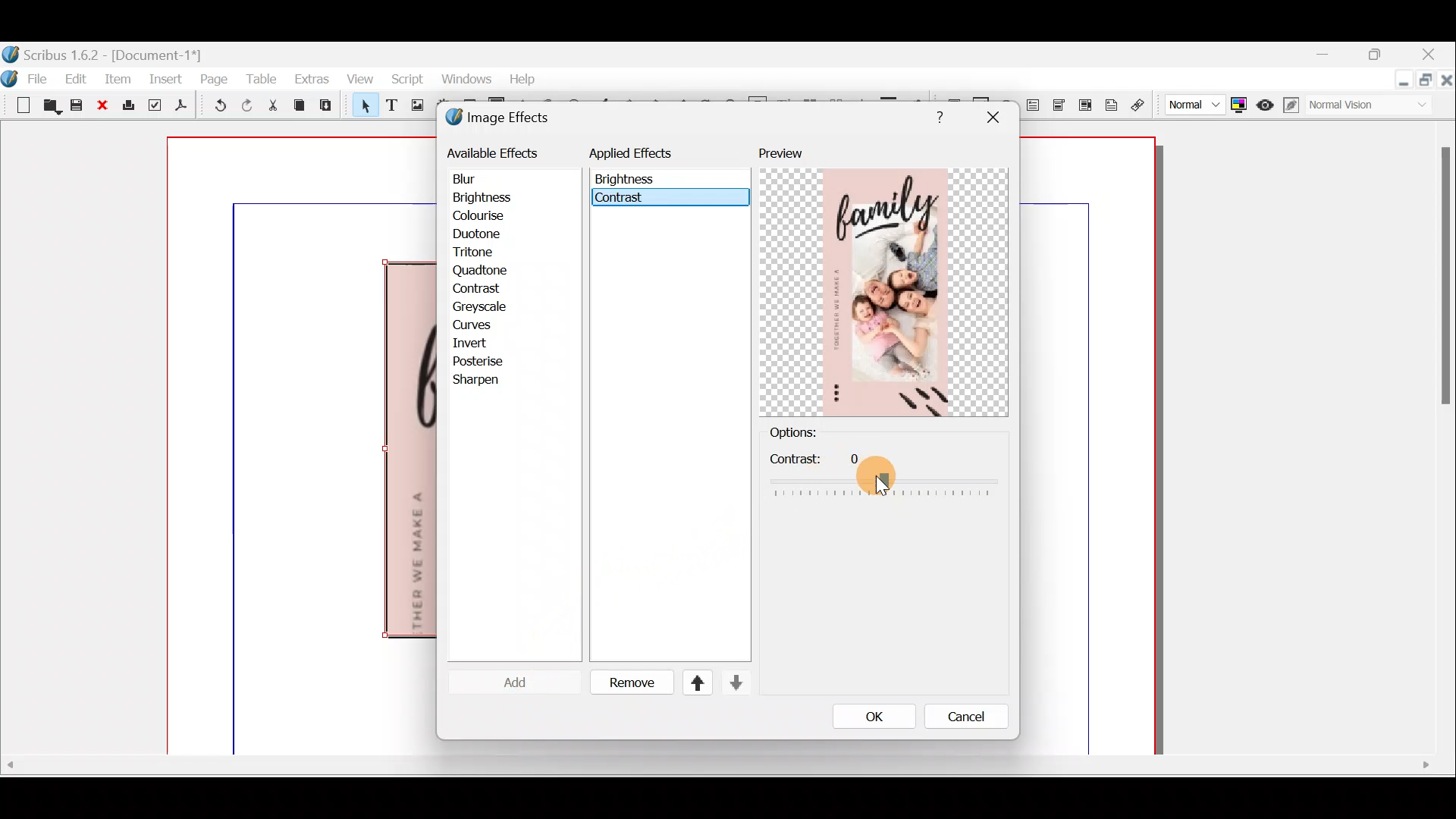  Describe the element at coordinates (391, 106) in the screenshot. I see `Text frame` at that location.